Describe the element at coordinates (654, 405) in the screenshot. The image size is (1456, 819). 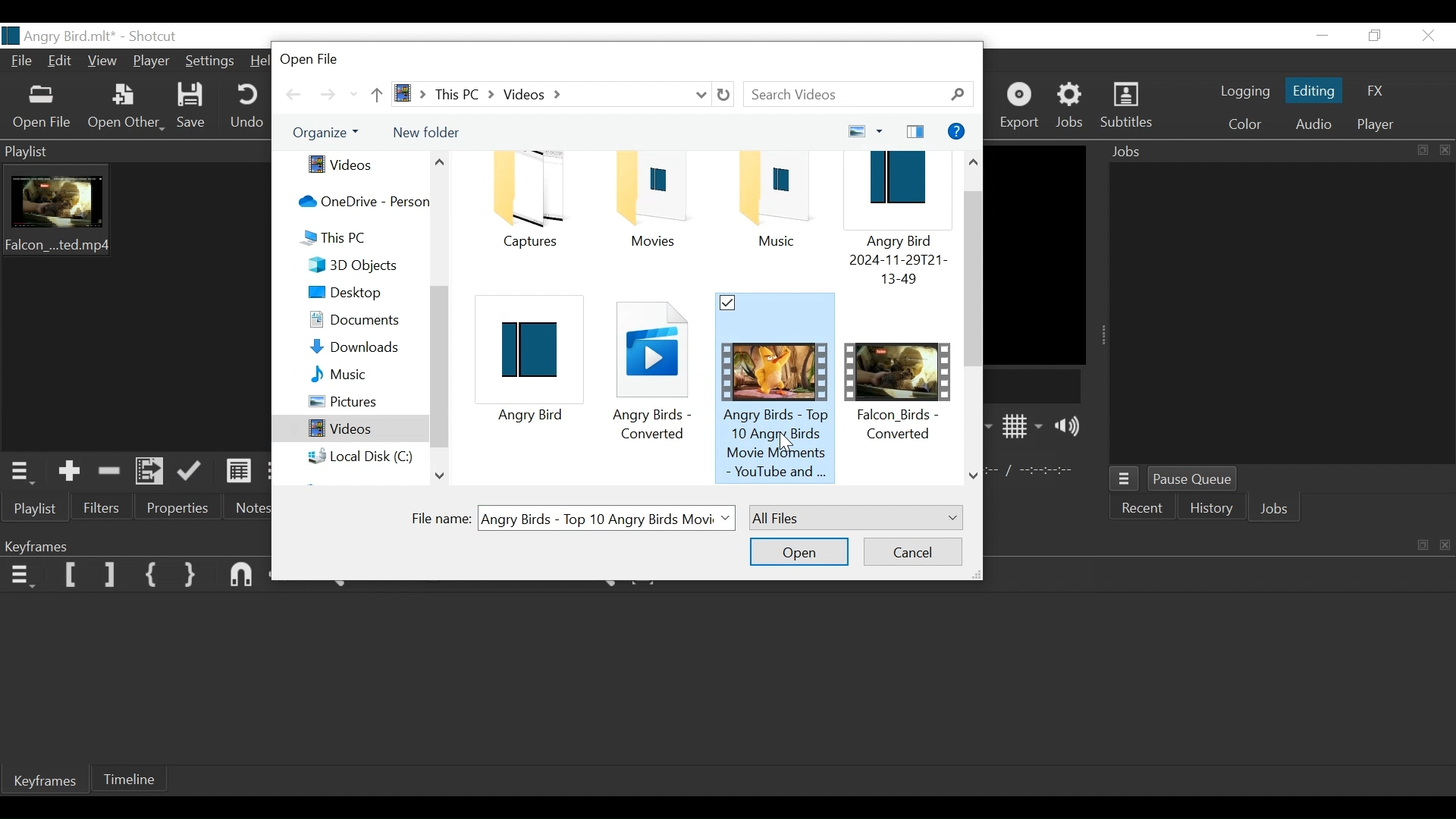
I see `File` at that location.